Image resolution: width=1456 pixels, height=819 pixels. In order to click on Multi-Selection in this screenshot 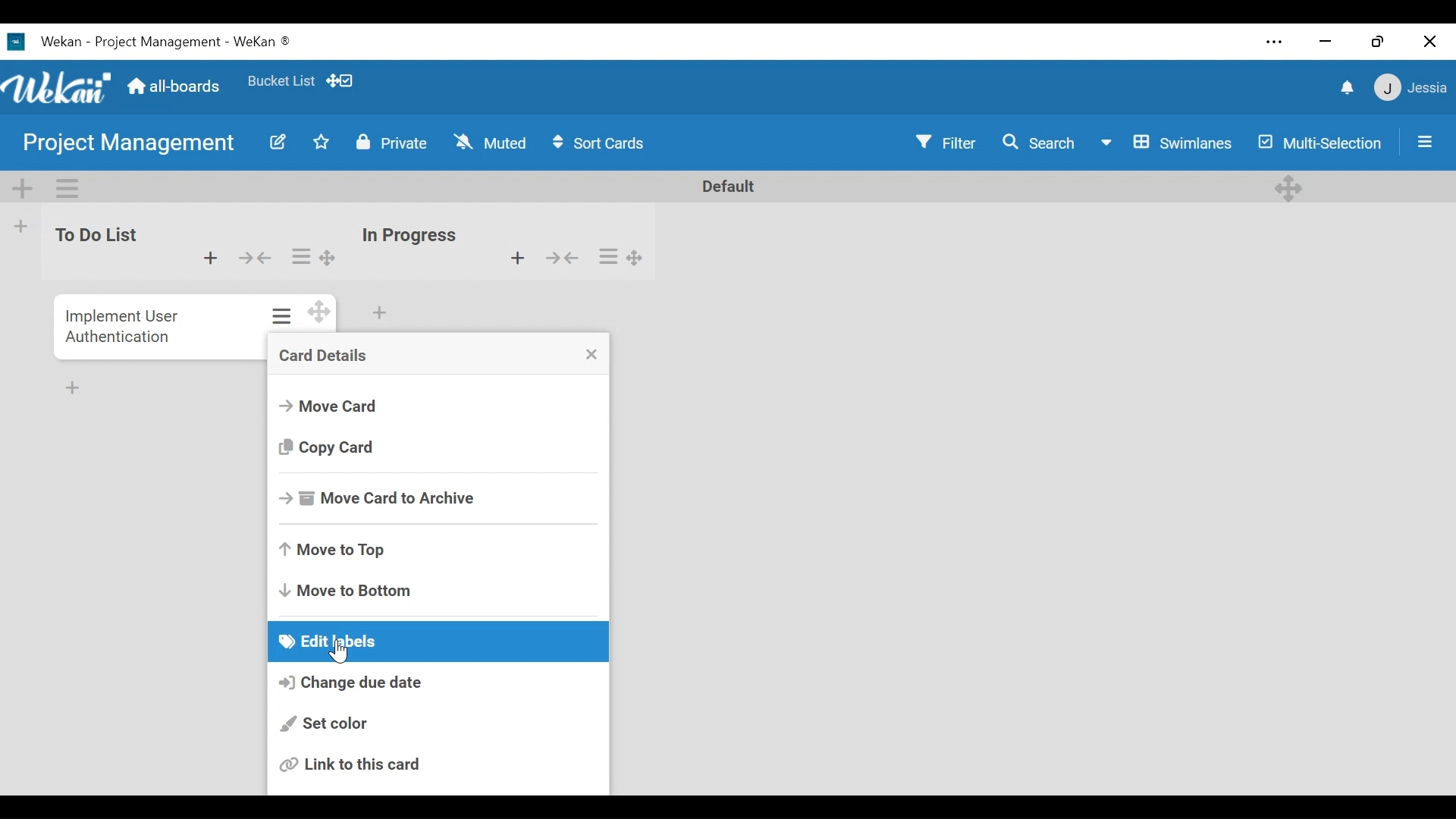, I will do `click(1320, 141)`.